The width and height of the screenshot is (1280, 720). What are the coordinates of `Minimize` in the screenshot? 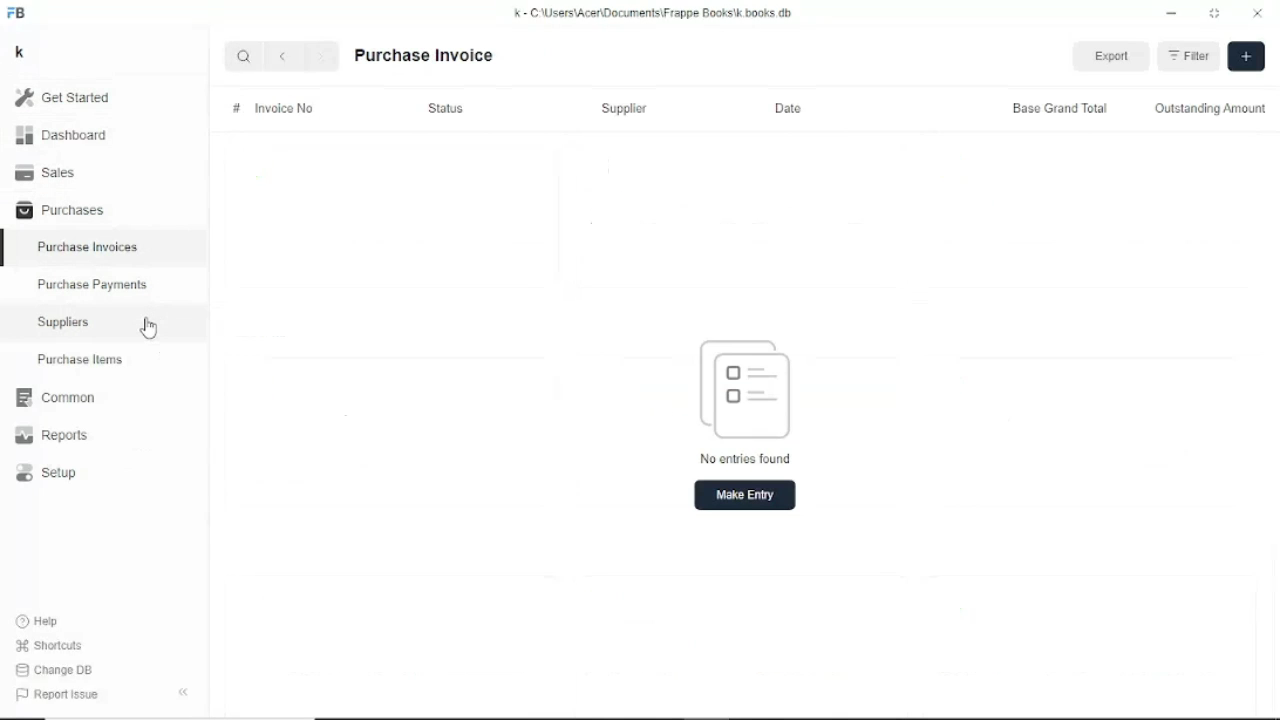 It's located at (1171, 13).